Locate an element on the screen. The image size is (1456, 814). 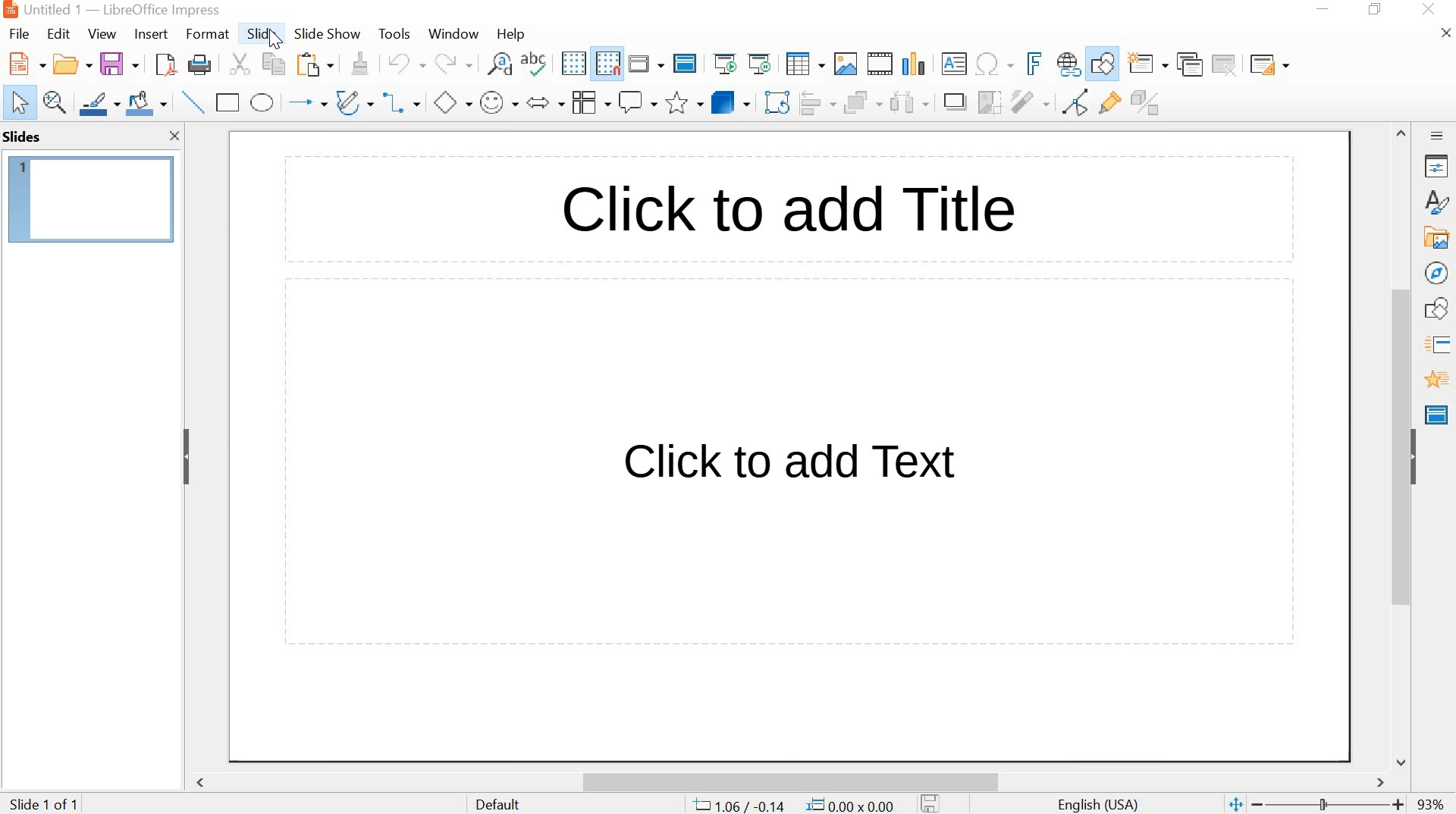
Rotate is located at coordinates (779, 102).